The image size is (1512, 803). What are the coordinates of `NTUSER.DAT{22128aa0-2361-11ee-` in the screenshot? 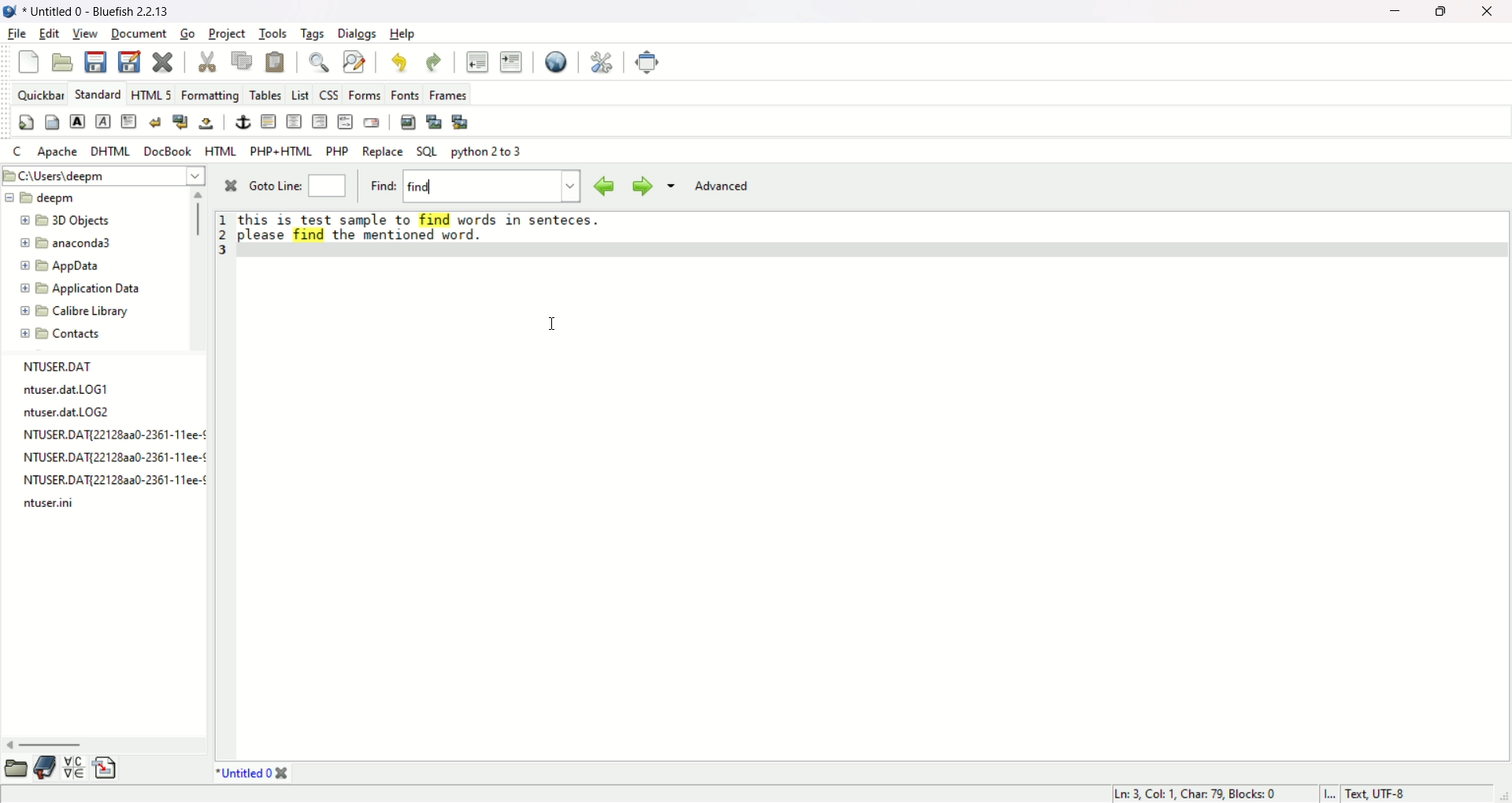 It's located at (103, 458).